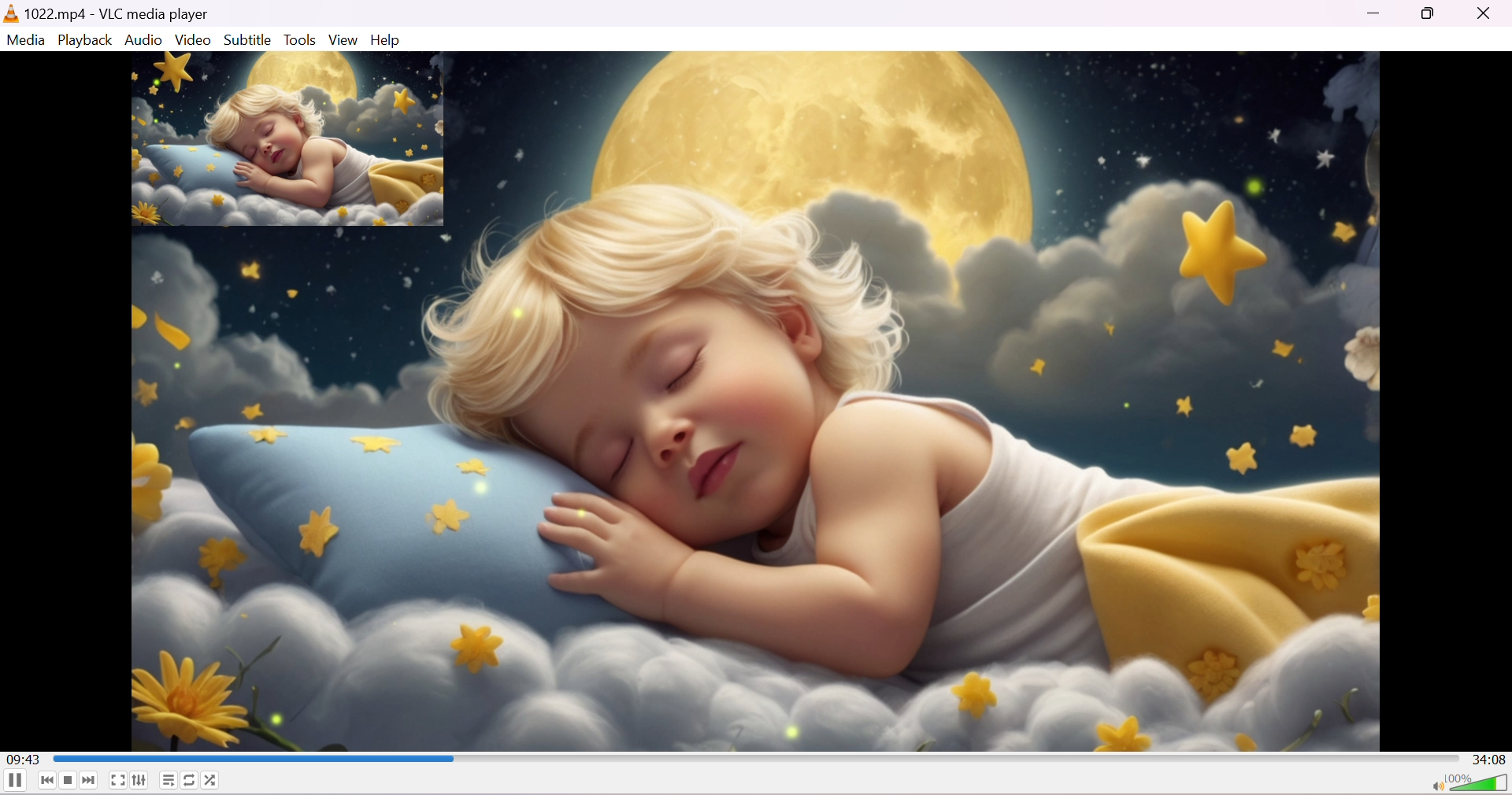 This screenshot has width=1512, height=795. What do you see at coordinates (193, 40) in the screenshot?
I see `Video` at bounding box center [193, 40].